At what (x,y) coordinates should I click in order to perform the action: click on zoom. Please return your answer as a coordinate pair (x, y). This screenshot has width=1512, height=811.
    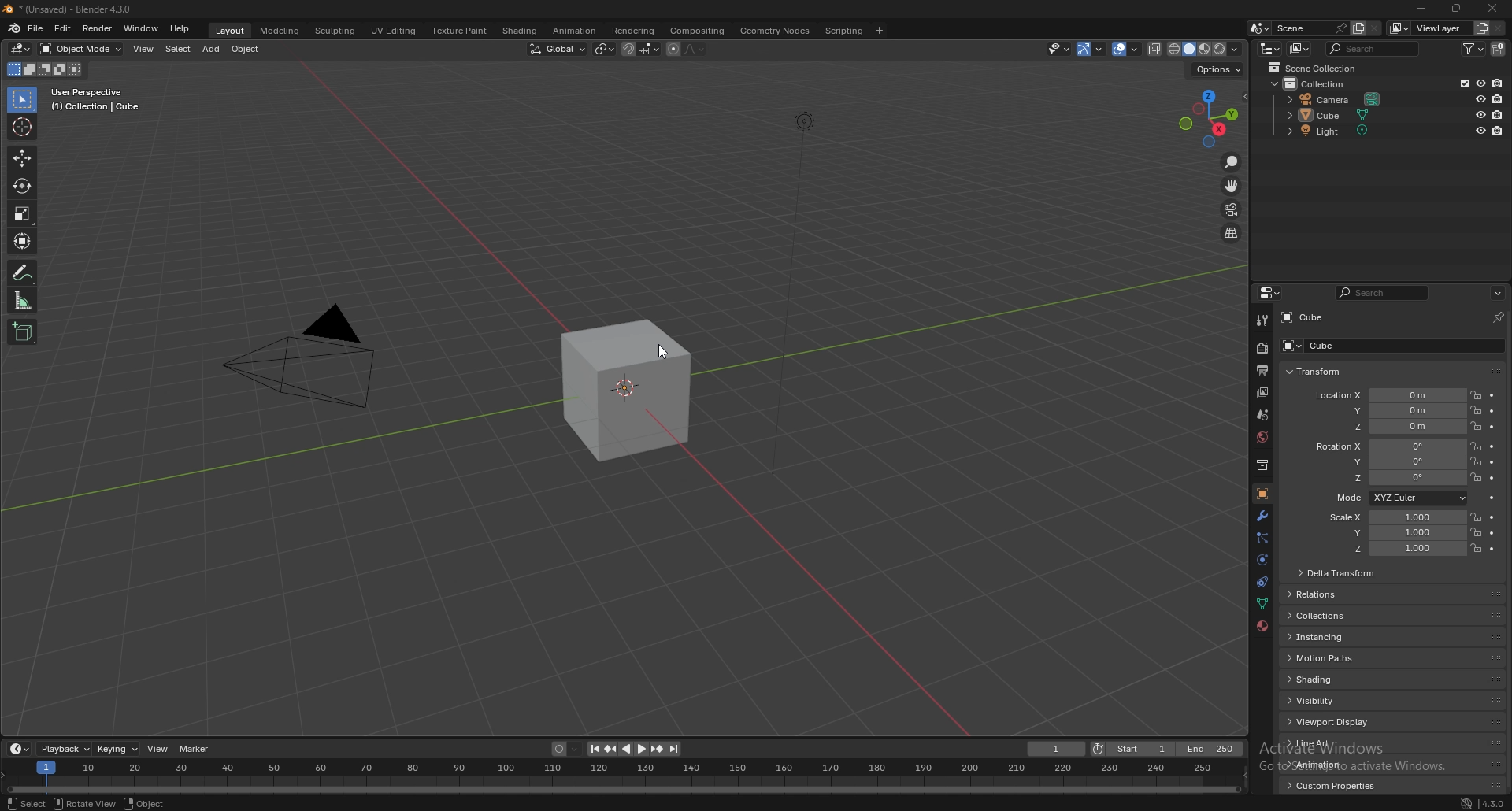
    Looking at the image, I should click on (1232, 163).